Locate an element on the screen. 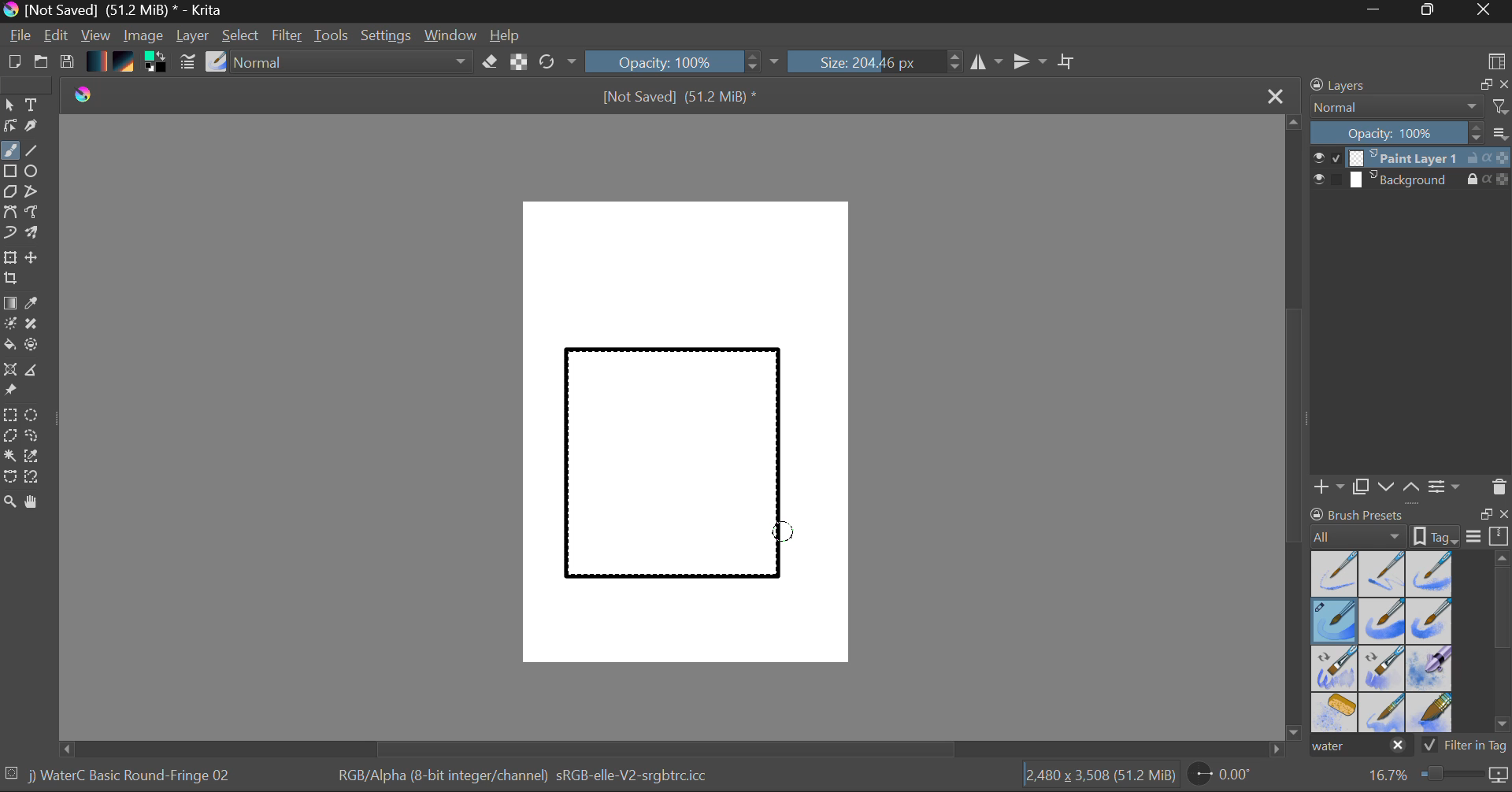 The width and height of the screenshot is (1512, 792). Scroll Bar is located at coordinates (1503, 645).